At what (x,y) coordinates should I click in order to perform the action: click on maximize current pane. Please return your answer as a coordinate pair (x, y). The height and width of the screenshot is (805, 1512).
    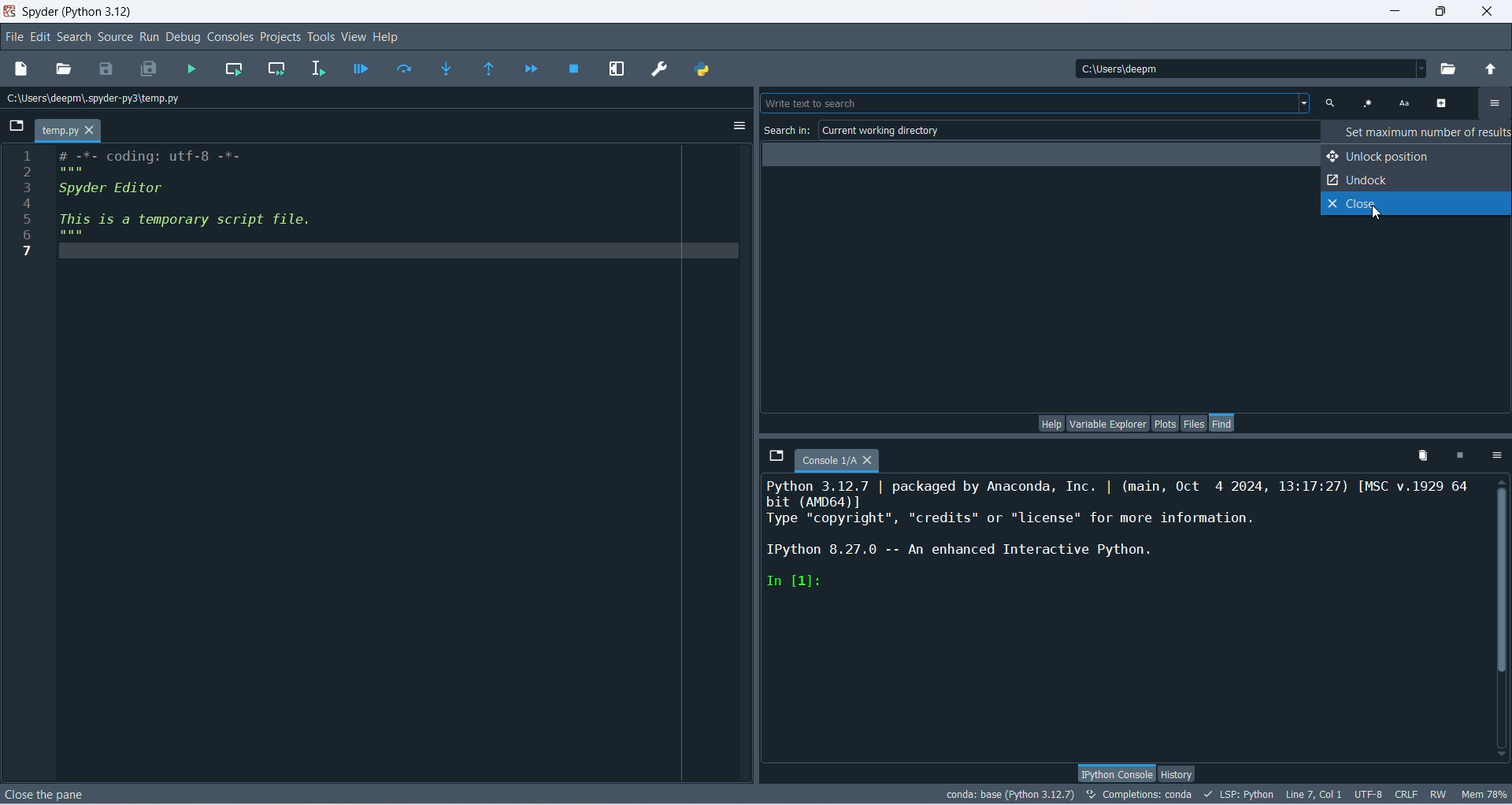
    Looking at the image, I should click on (618, 69).